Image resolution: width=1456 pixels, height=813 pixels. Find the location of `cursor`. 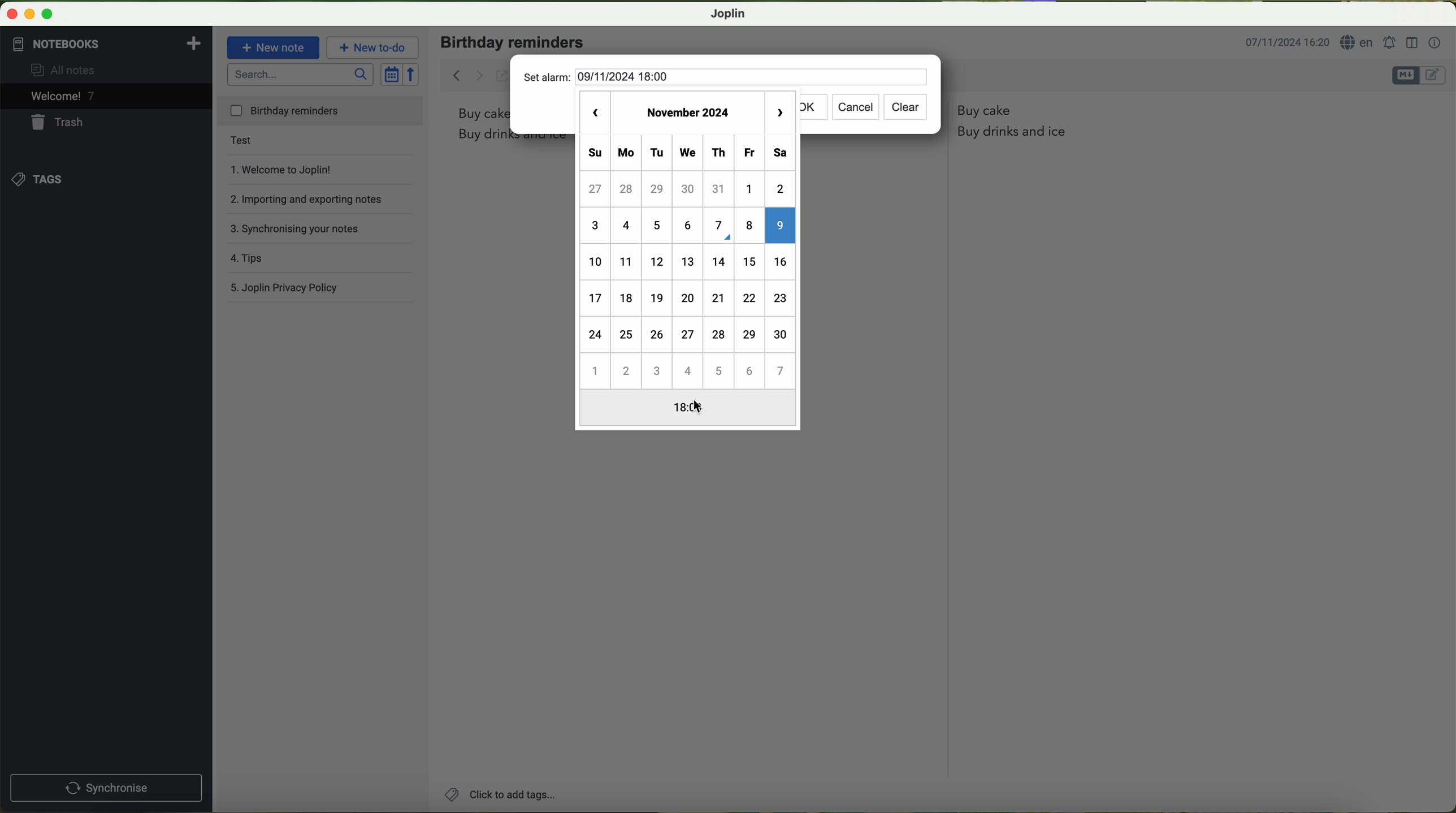

cursor is located at coordinates (709, 410).